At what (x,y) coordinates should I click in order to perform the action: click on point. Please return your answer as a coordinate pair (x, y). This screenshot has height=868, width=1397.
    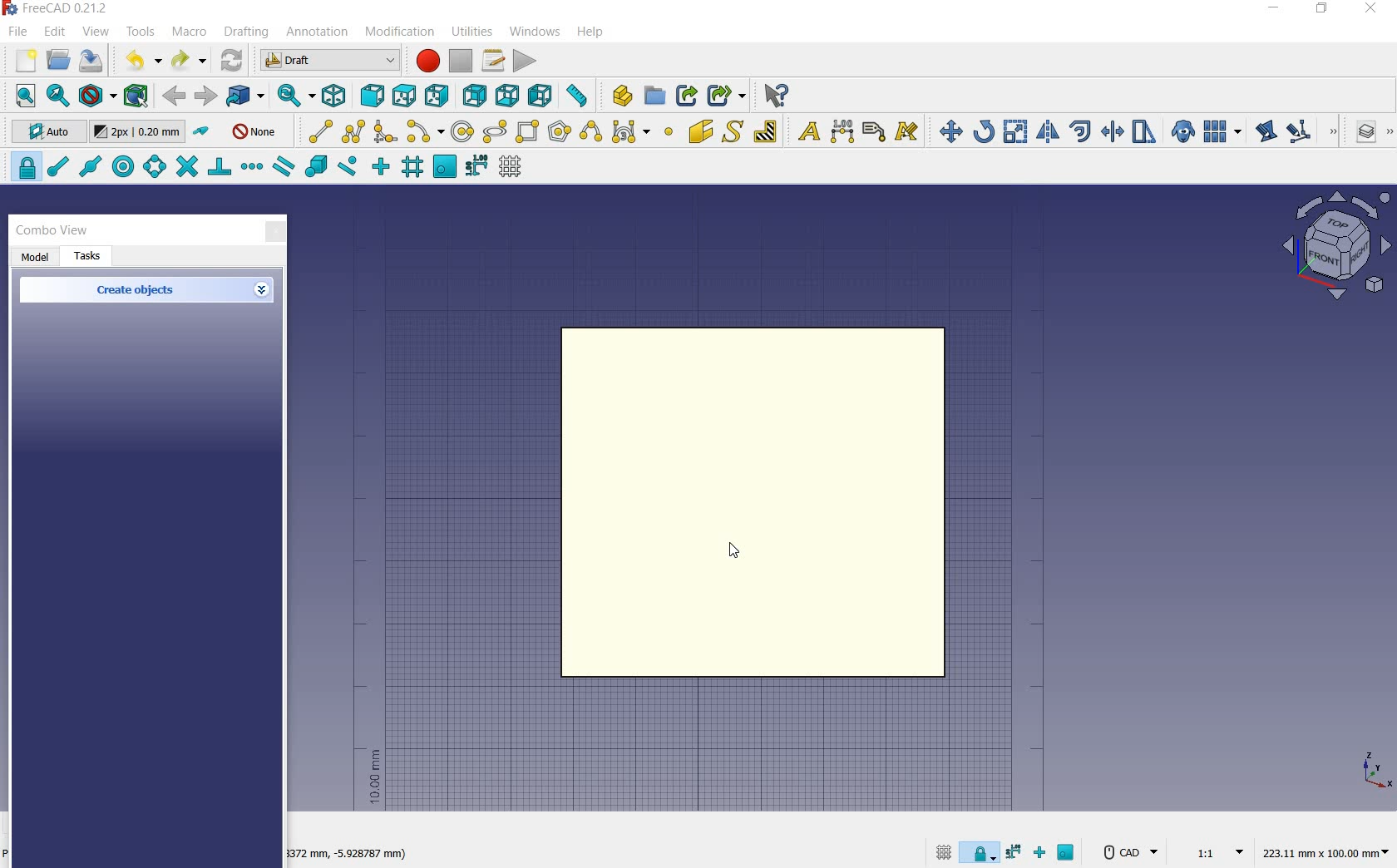
    Looking at the image, I should click on (668, 133).